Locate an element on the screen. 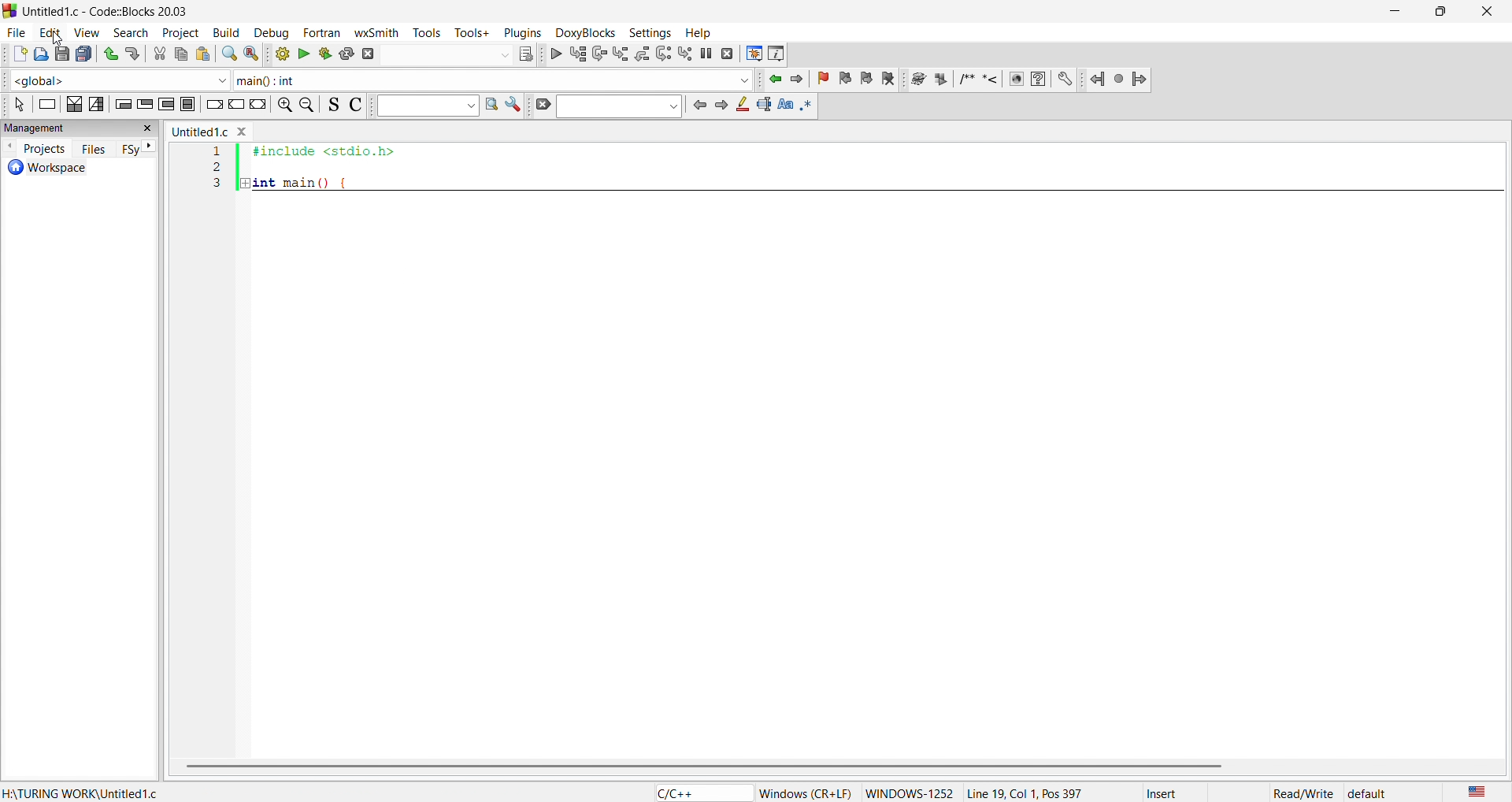  cut is located at coordinates (160, 54).